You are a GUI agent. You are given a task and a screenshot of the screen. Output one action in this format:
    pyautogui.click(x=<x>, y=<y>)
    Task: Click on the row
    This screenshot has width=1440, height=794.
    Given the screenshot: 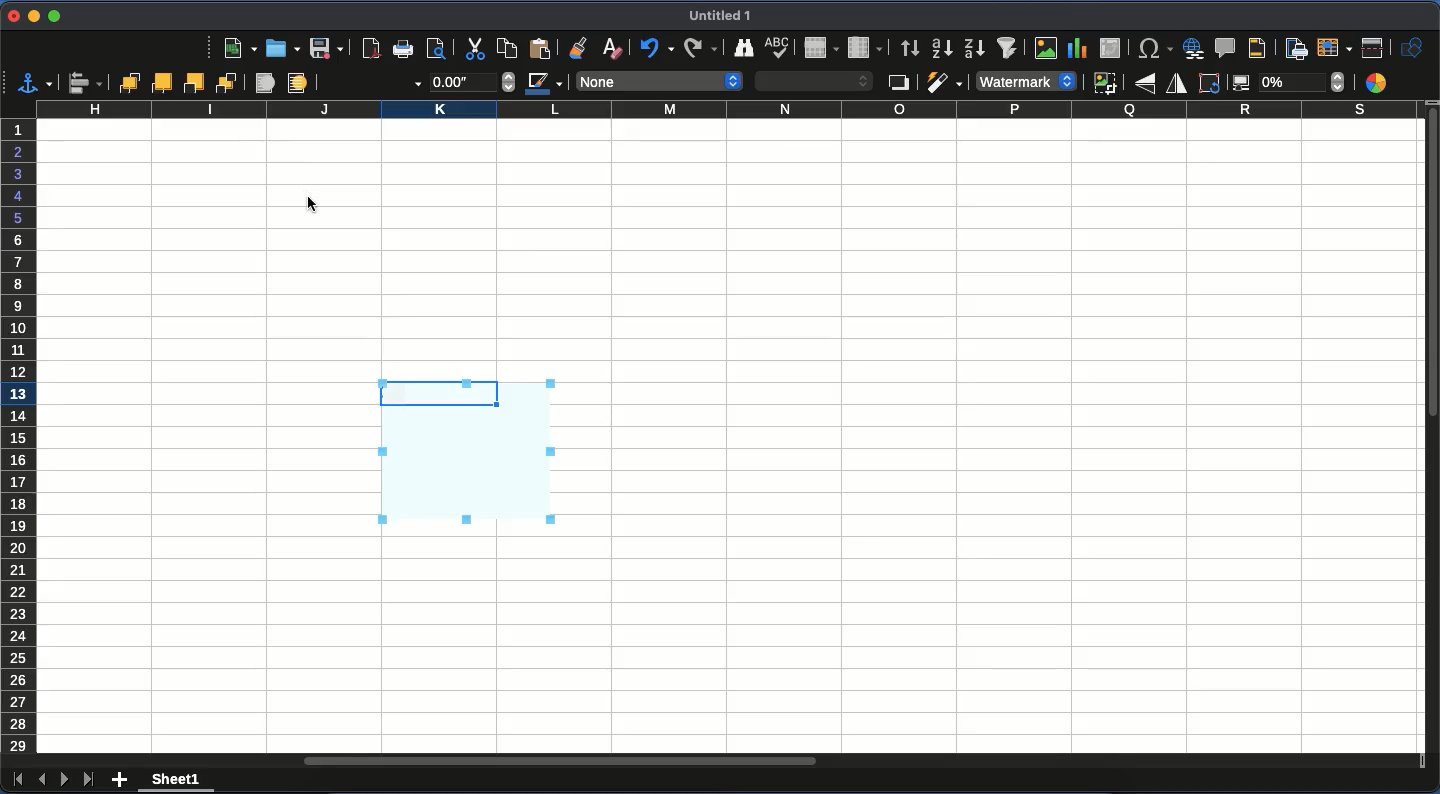 What is the action you would take?
    pyautogui.click(x=821, y=49)
    